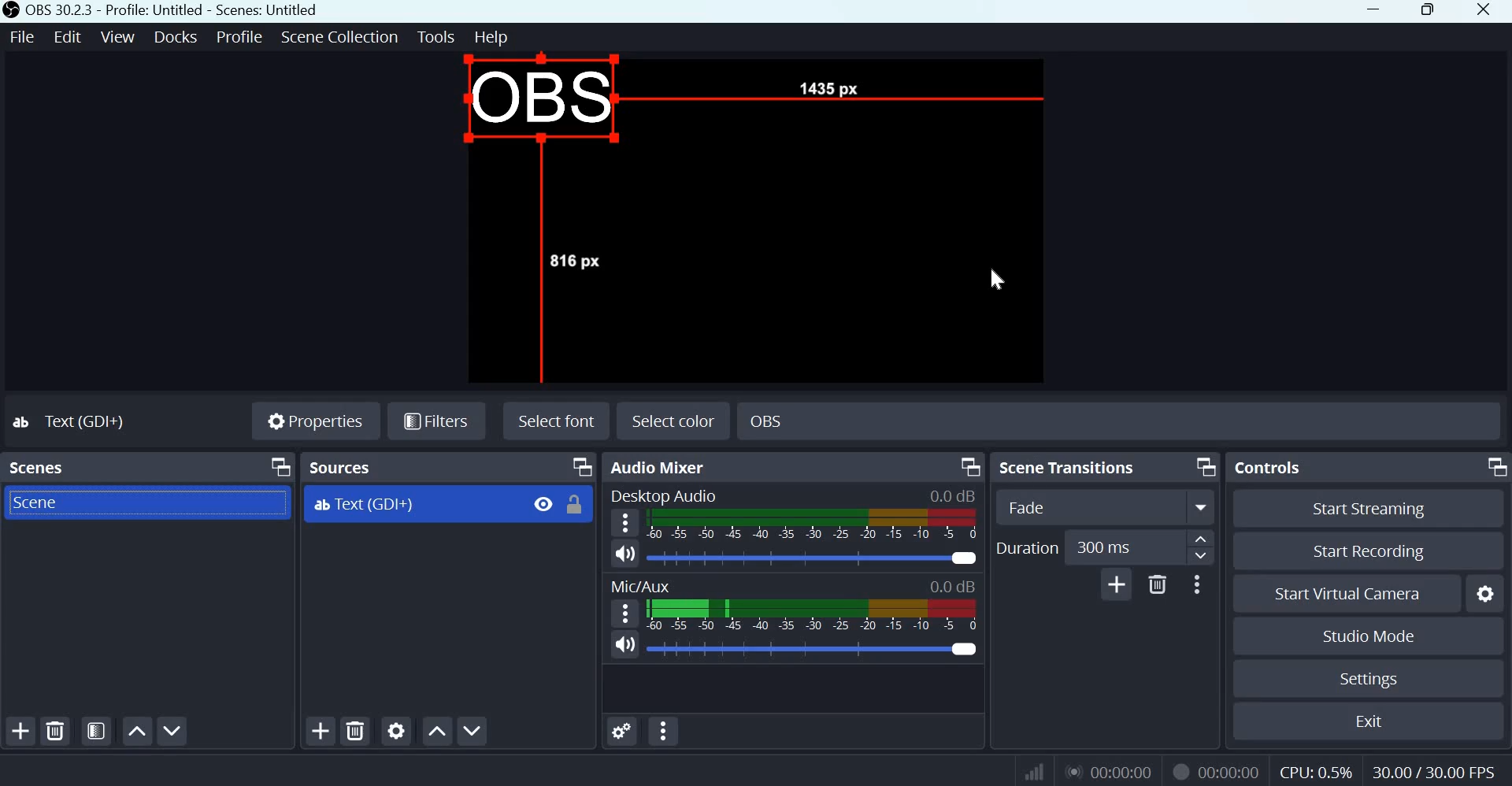 Image resolution: width=1512 pixels, height=786 pixels. I want to click on Scene transitions, so click(1070, 466).